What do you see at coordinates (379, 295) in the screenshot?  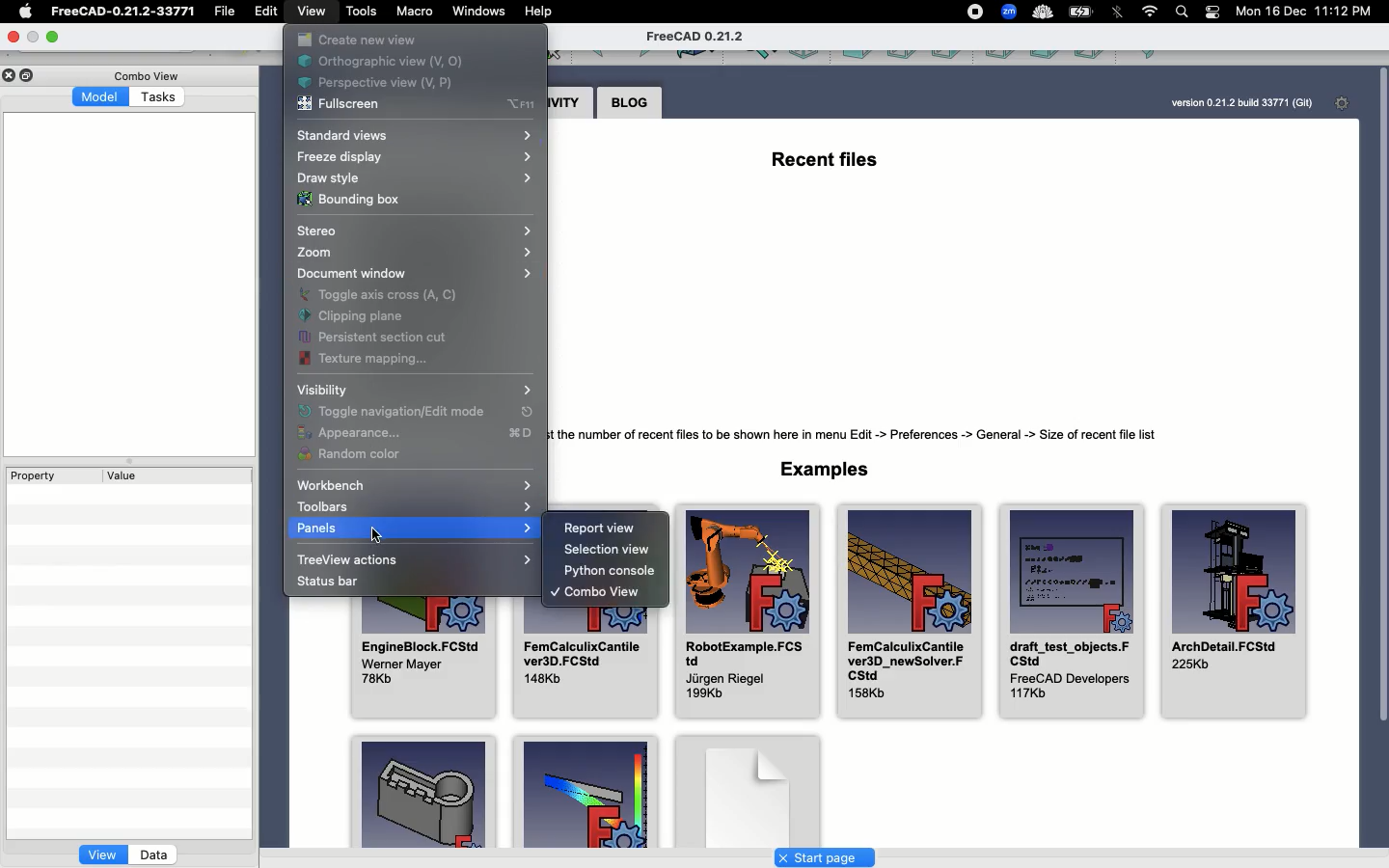 I see `Toggle axis cross` at bounding box center [379, 295].